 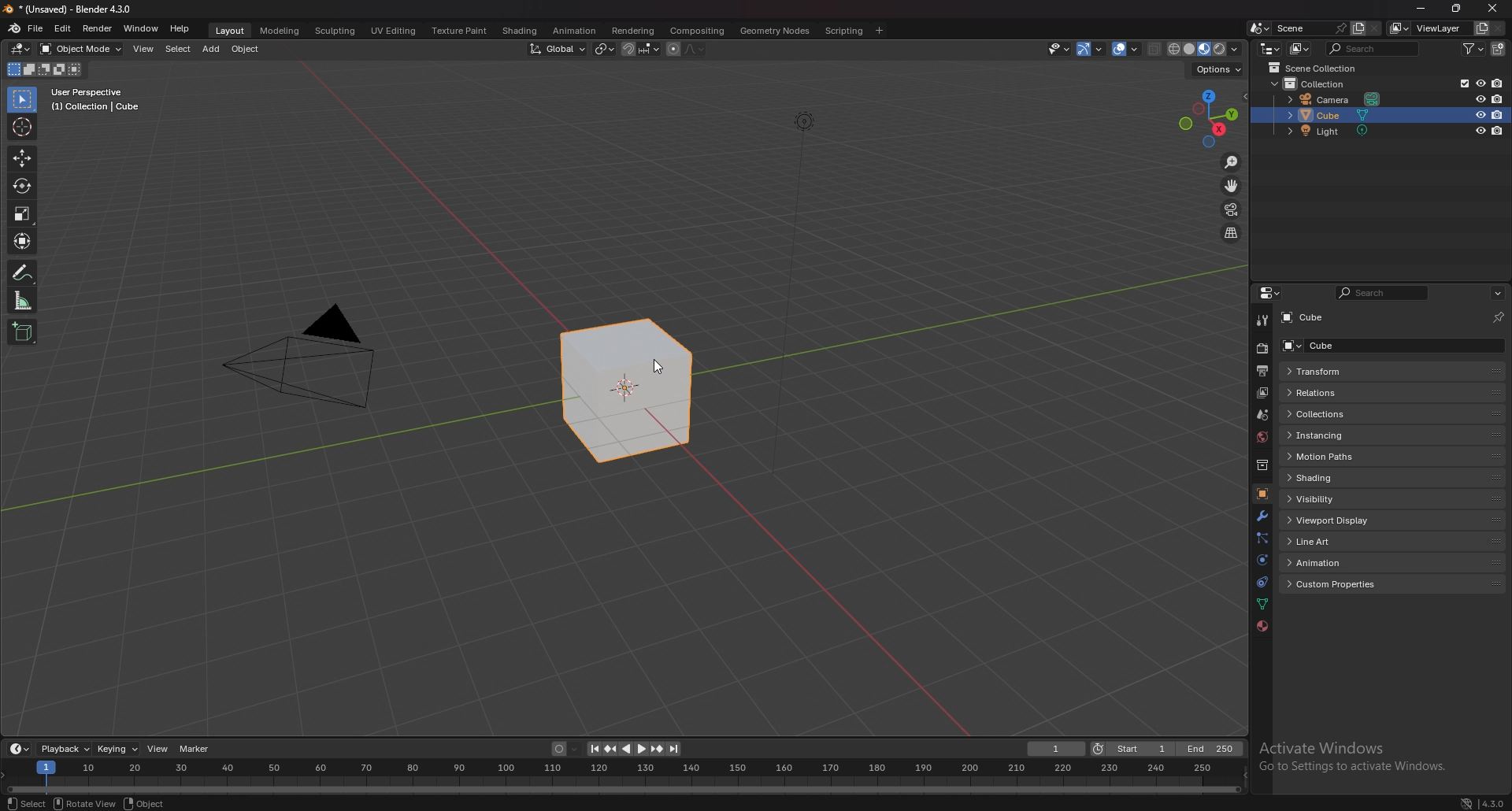 I want to click on overlays, so click(x=1125, y=50).